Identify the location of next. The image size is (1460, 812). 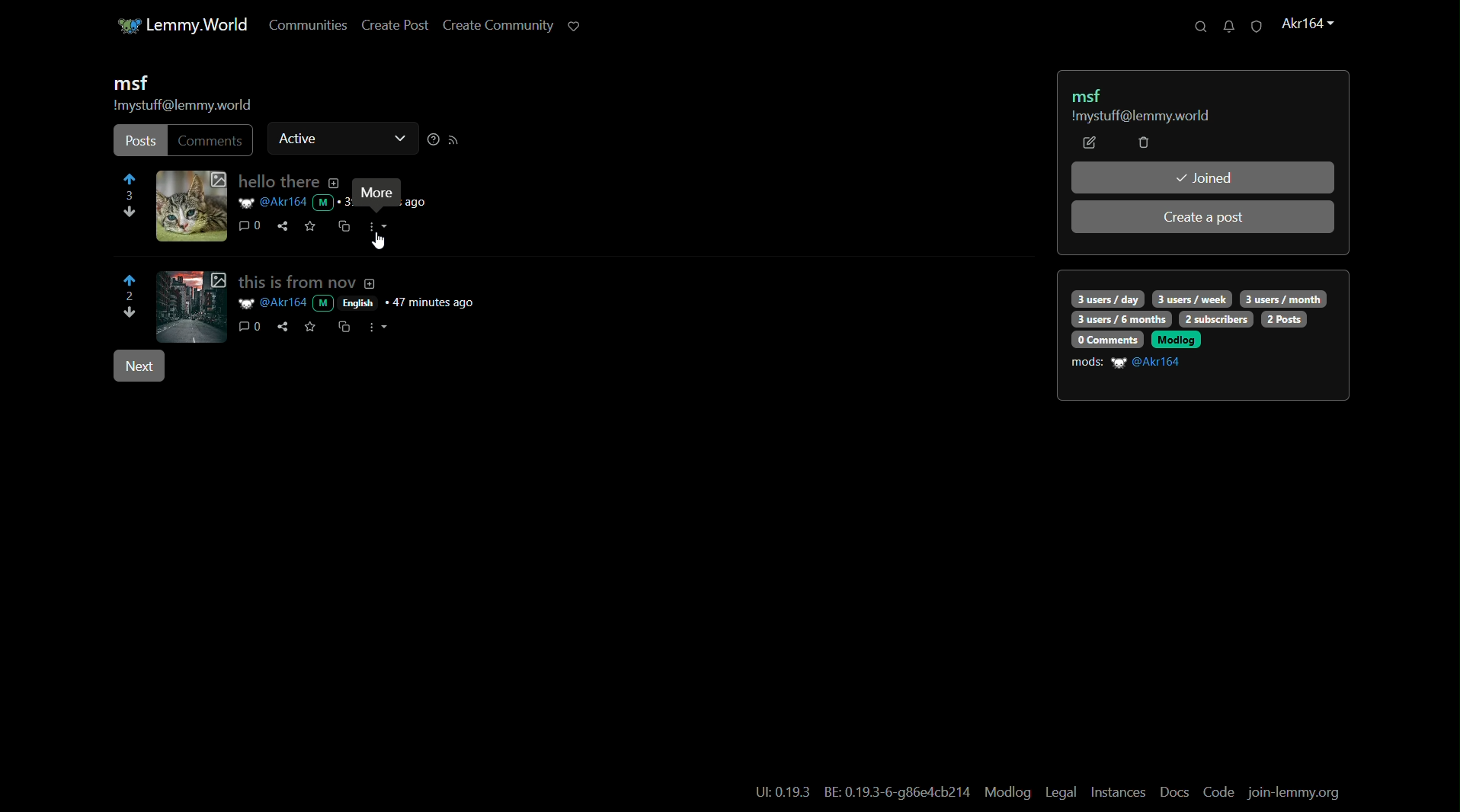
(138, 367).